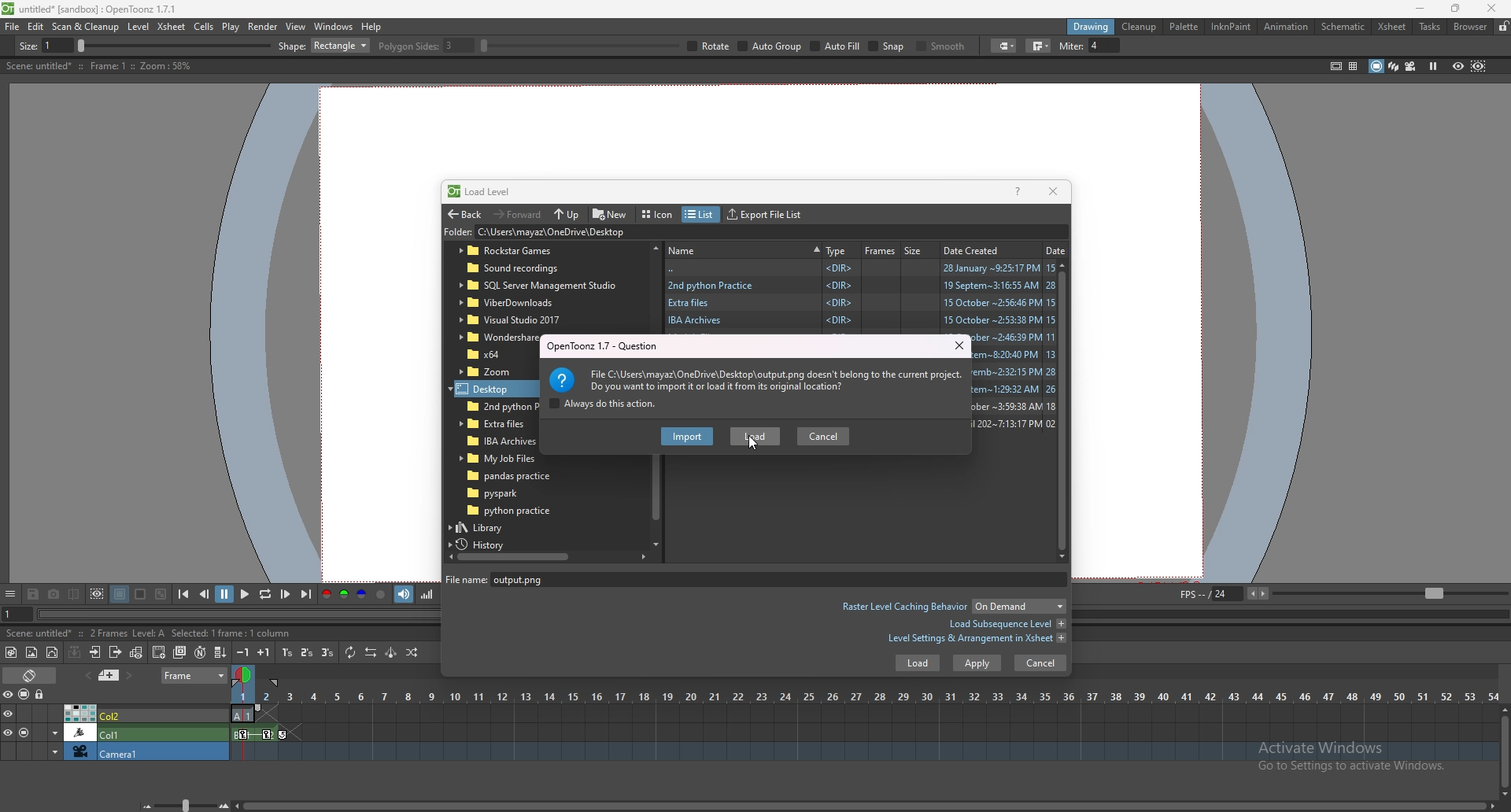 Image resolution: width=1511 pixels, height=812 pixels. Describe the element at coordinates (199, 652) in the screenshot. I see `auto input cell number` at that location.